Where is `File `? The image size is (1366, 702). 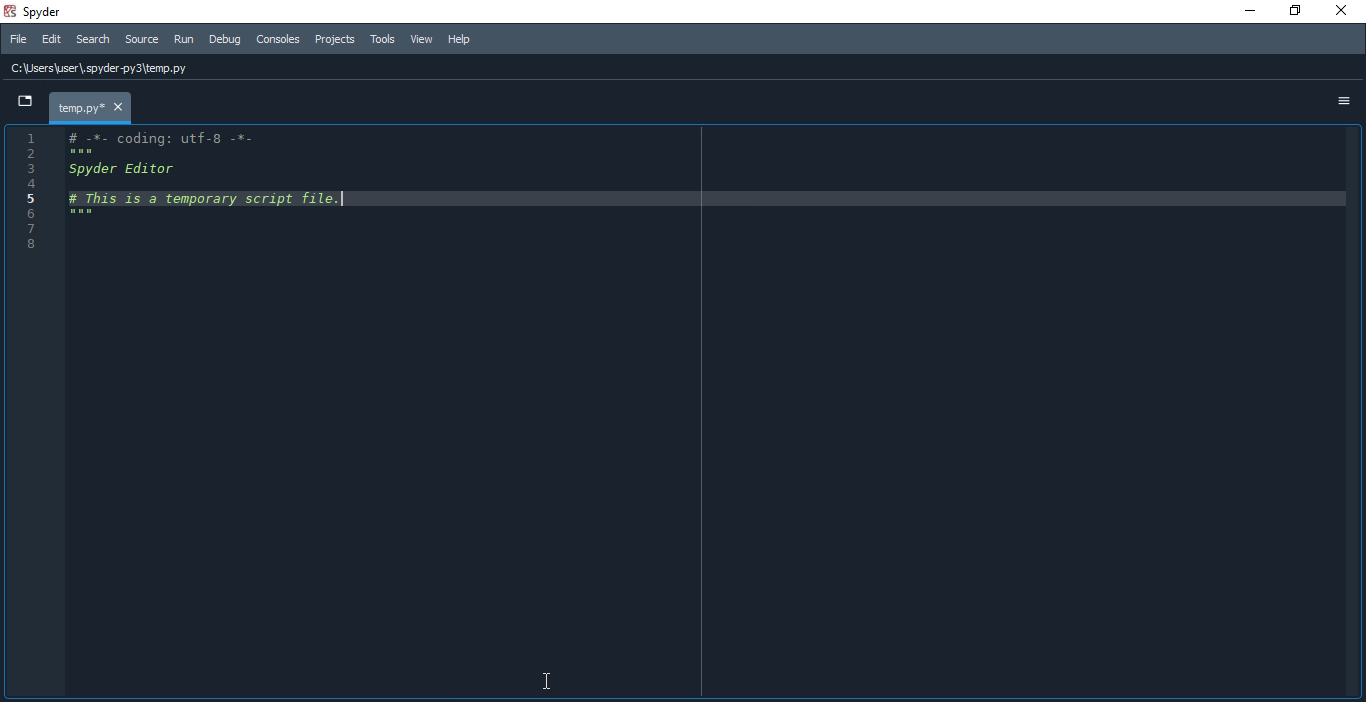
File  is located at coordinates (15, 40).